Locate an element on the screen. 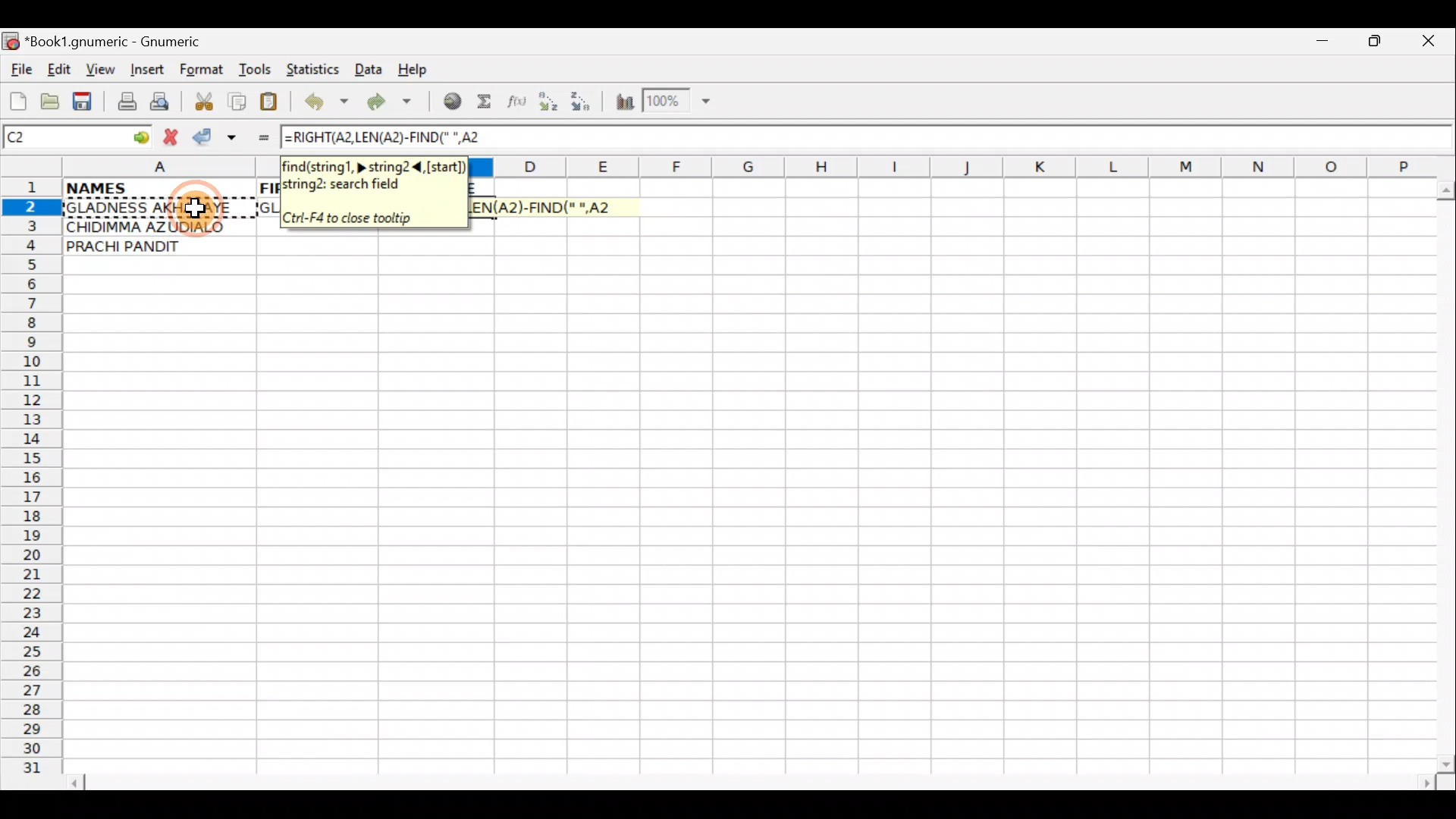 This screenshot has height=819, width=1456. Accept change is located at coordinates (217, 137).